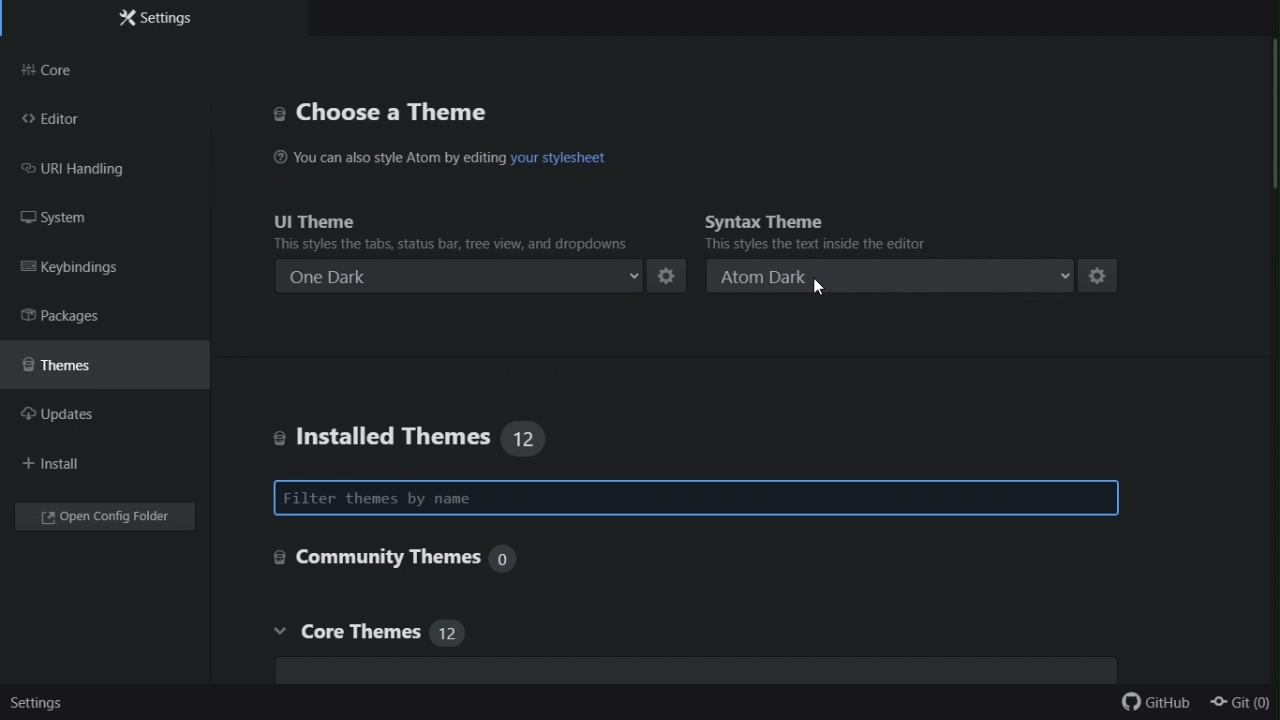  What do you see at coordinates (623, 355) in the screenshot?
I see `Auto hide menu bar` at bounding box center [623, 355].